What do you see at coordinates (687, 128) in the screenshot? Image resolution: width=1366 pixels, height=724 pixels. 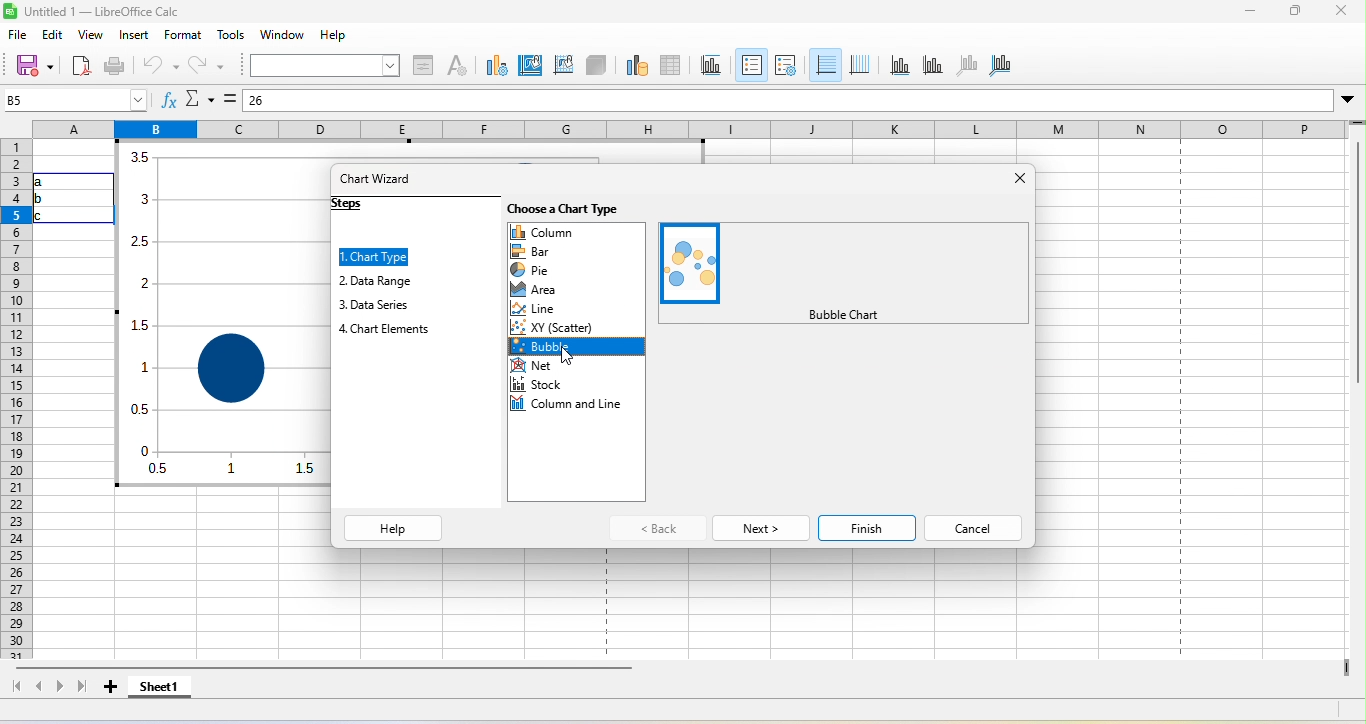 I see `column headings` at bounding box center [687, 128].